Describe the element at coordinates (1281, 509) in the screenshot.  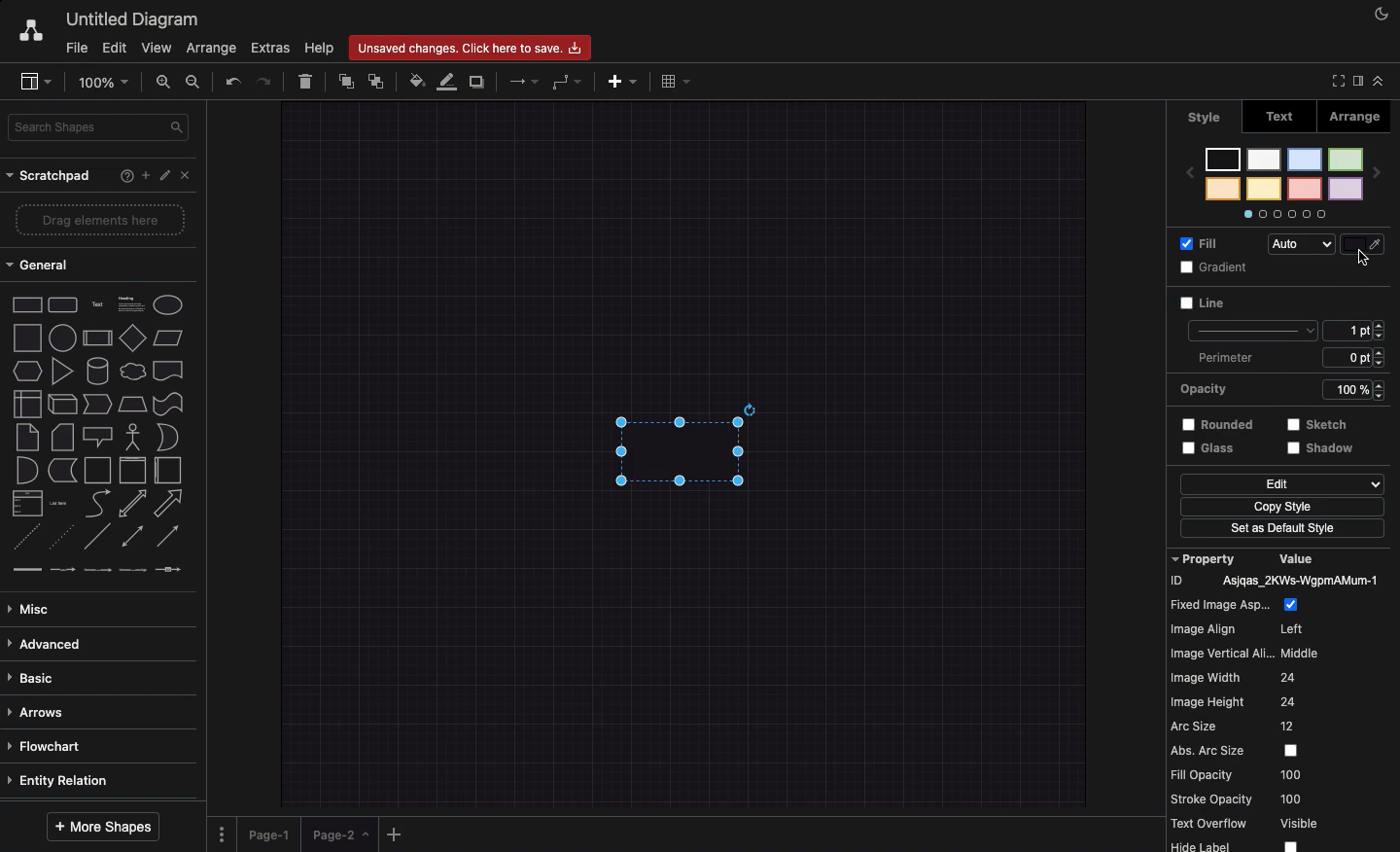
I see `Copy style` at that location.